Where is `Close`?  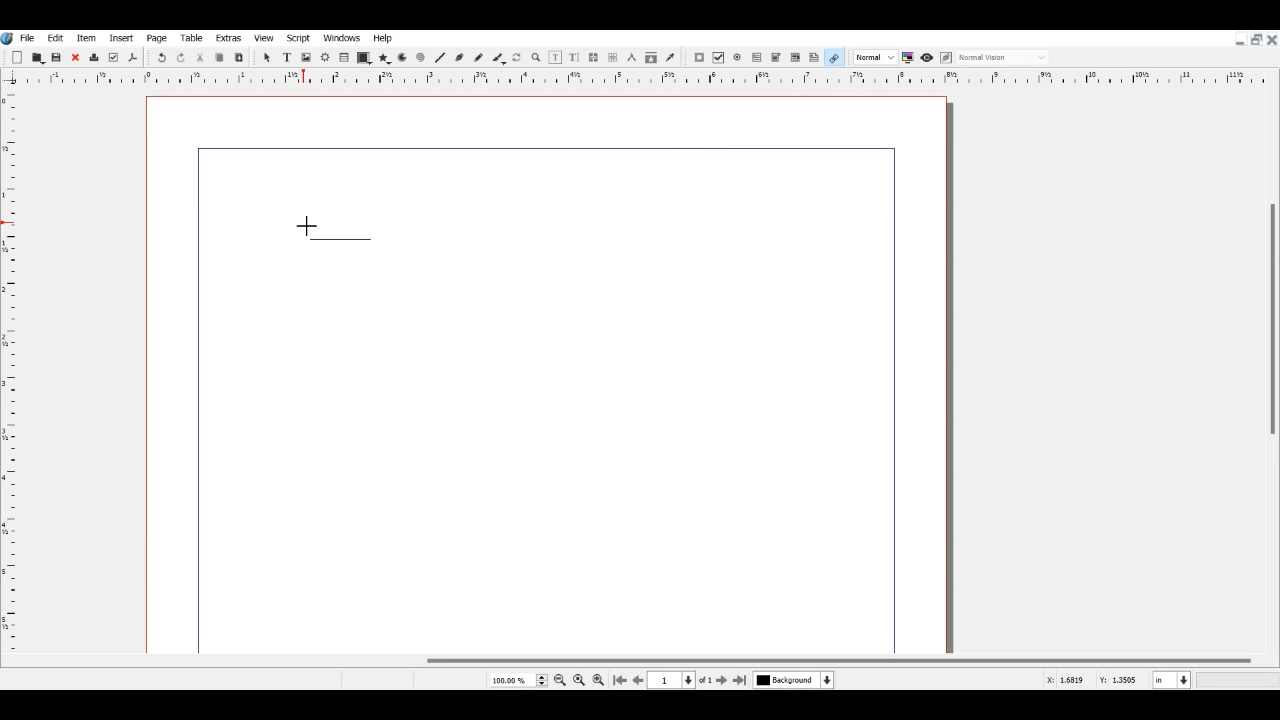
Close is located at coordinates (1272, 39).